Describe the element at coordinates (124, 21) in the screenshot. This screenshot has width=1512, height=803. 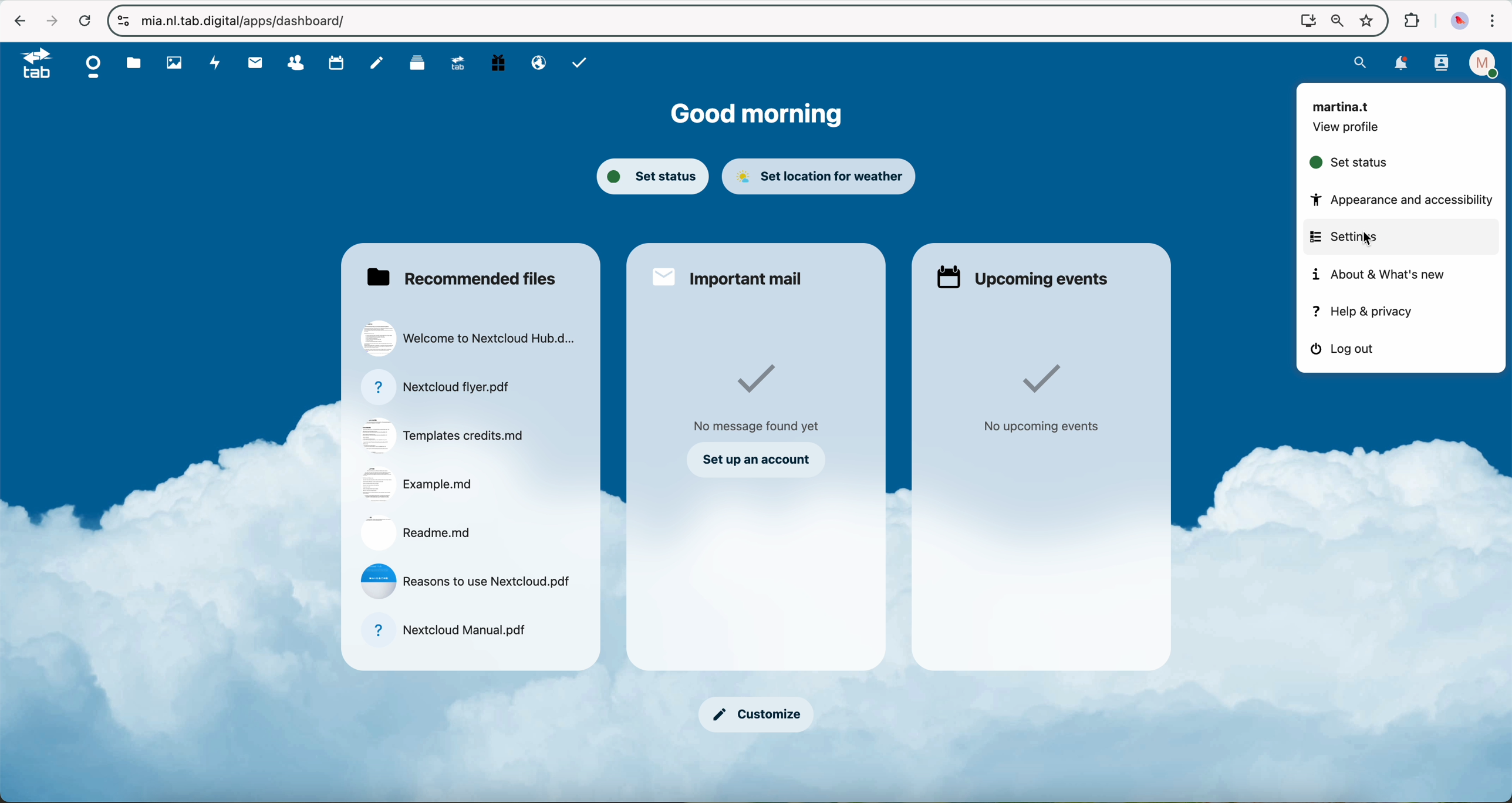
I see `controls` at that location.